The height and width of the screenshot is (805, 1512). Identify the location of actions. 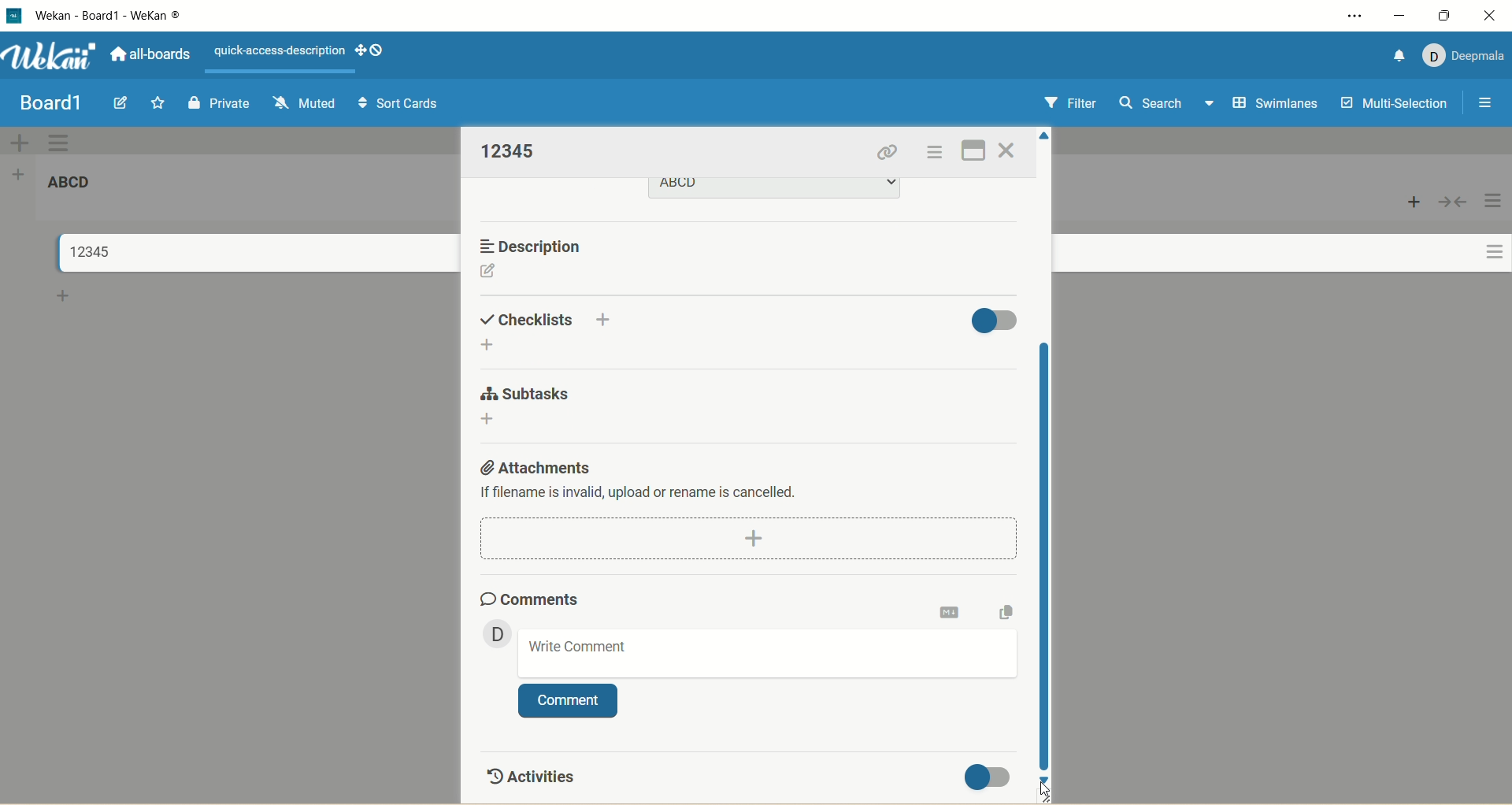
(932, 155).